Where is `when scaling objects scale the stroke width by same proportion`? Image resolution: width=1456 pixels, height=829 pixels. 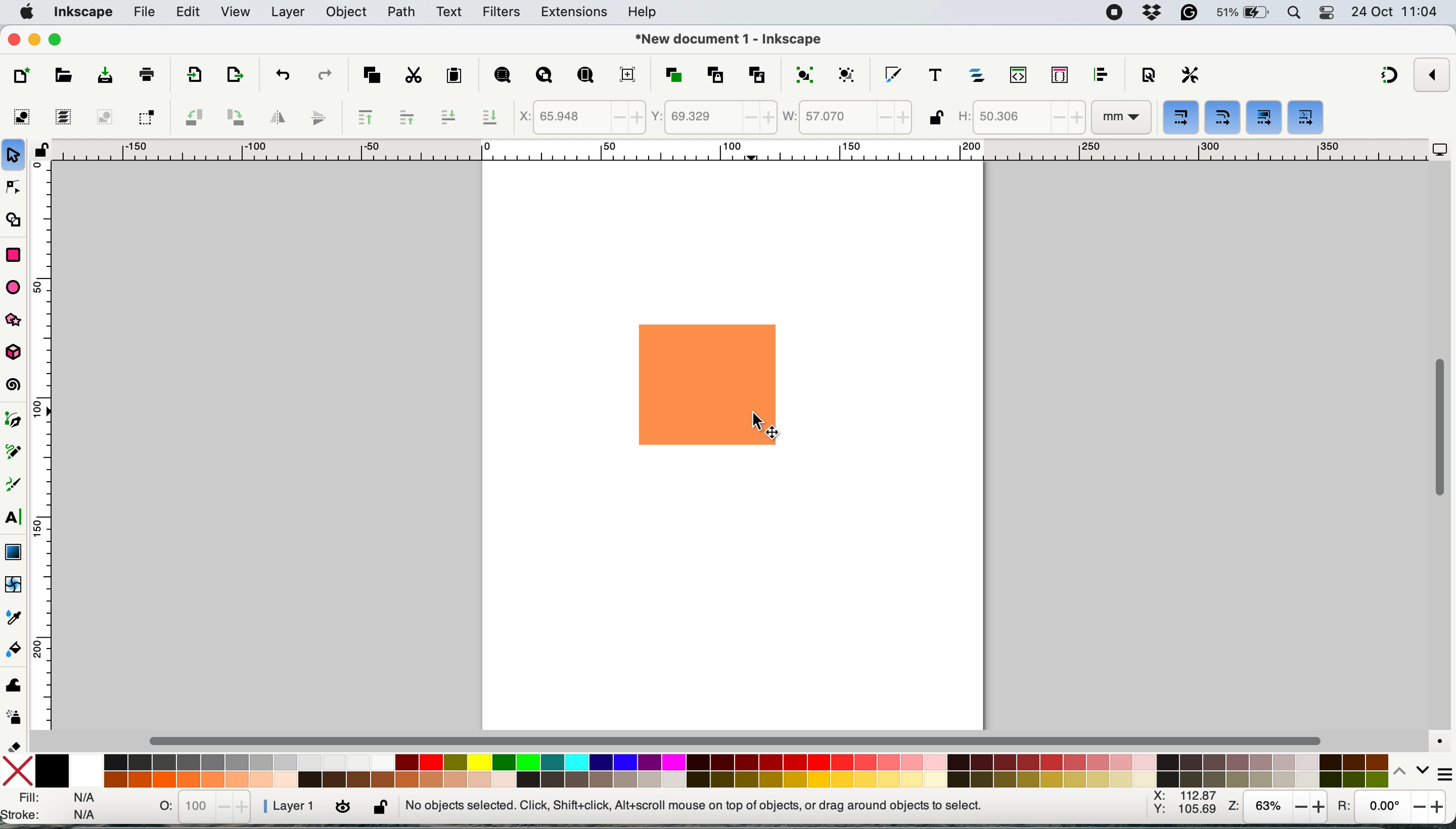 when scaling objects scale the stroke width by same proportion is located at coordinates (1182, 118).